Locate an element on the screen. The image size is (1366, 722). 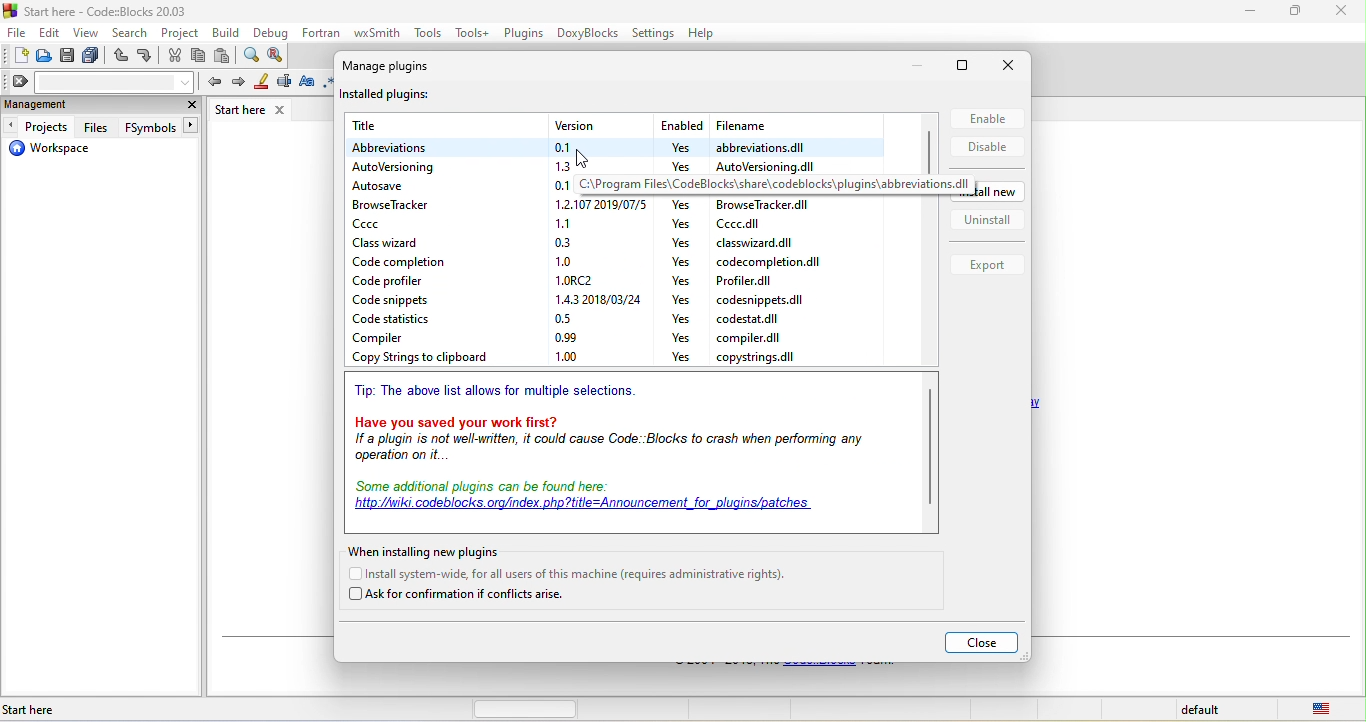
file is located at coordinates (756, 320).